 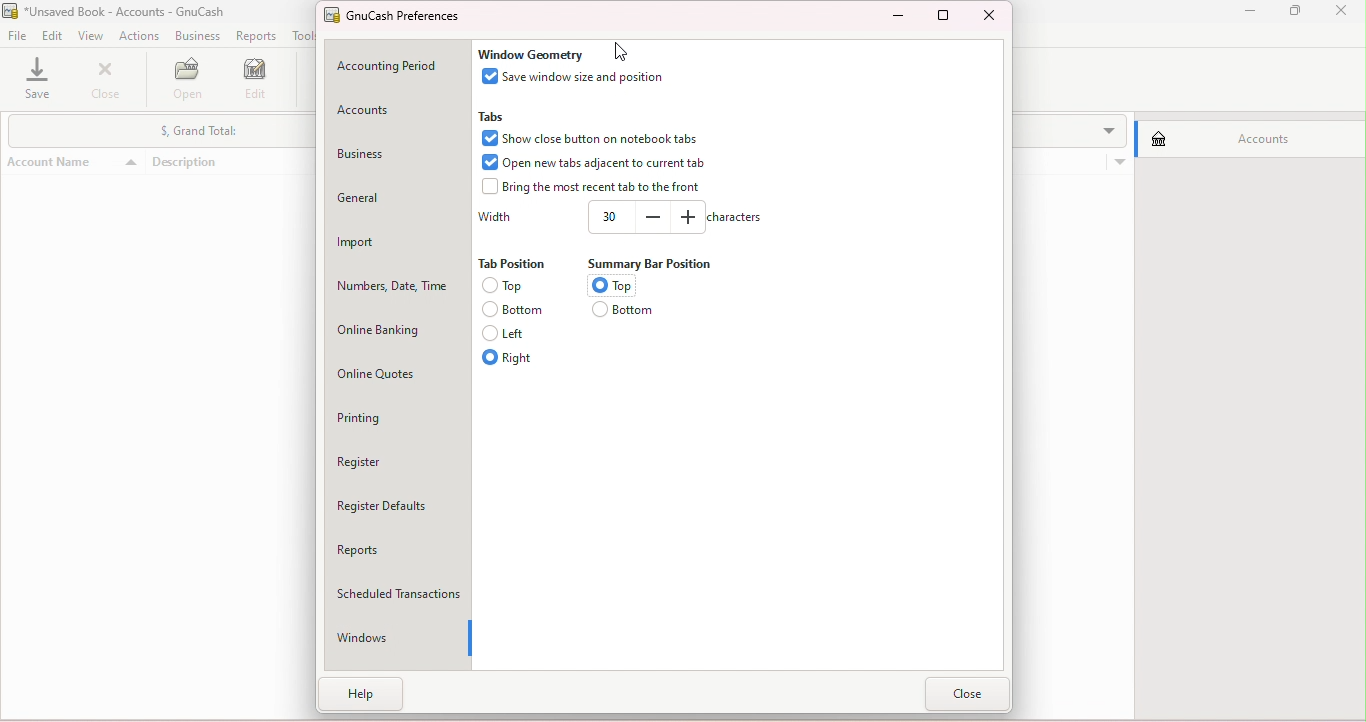 I want to click on bring the most recent tab to the front, so click(x=591, y=190).